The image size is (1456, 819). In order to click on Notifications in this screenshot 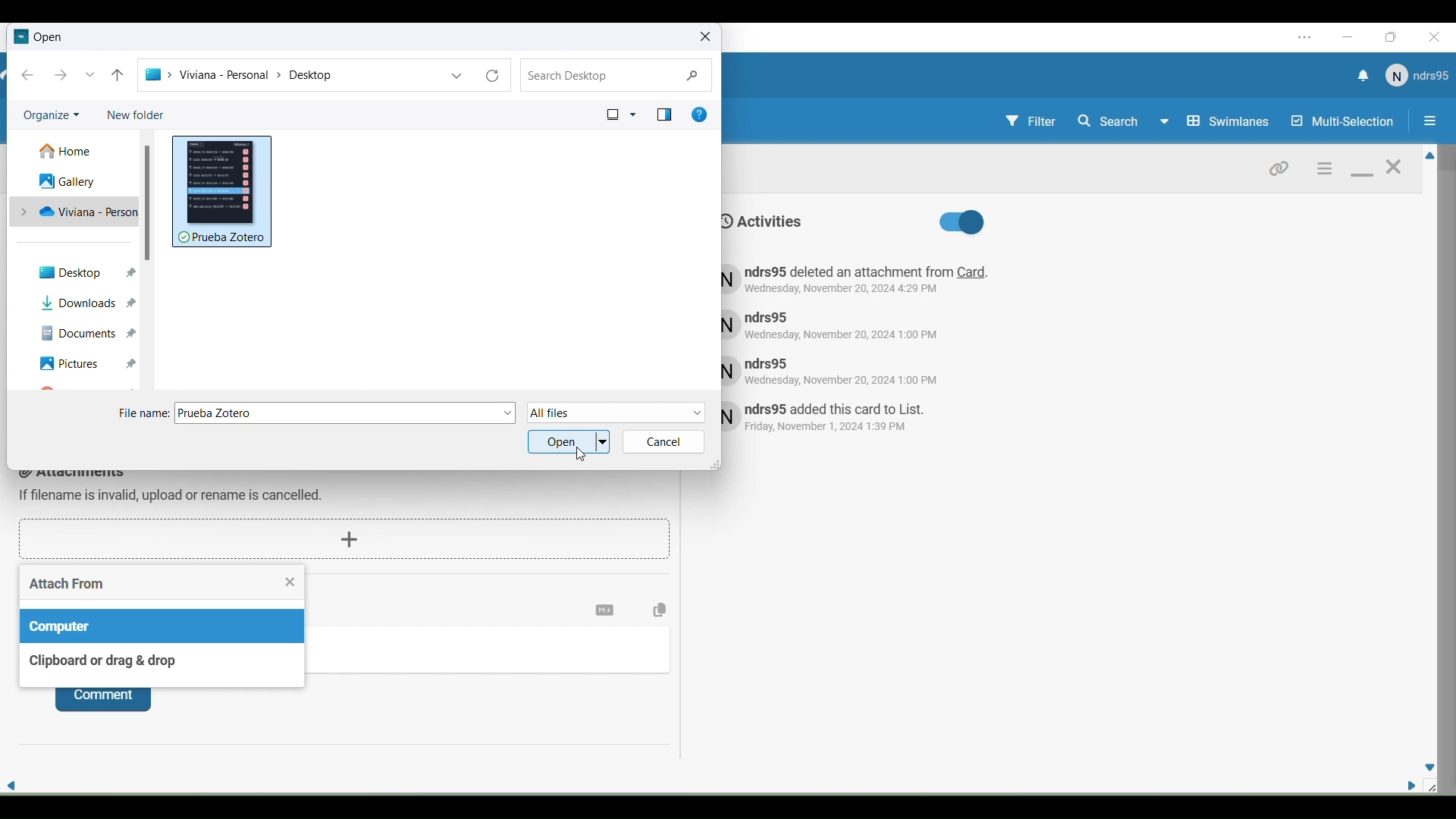, I will do `click(1361, 77)`.